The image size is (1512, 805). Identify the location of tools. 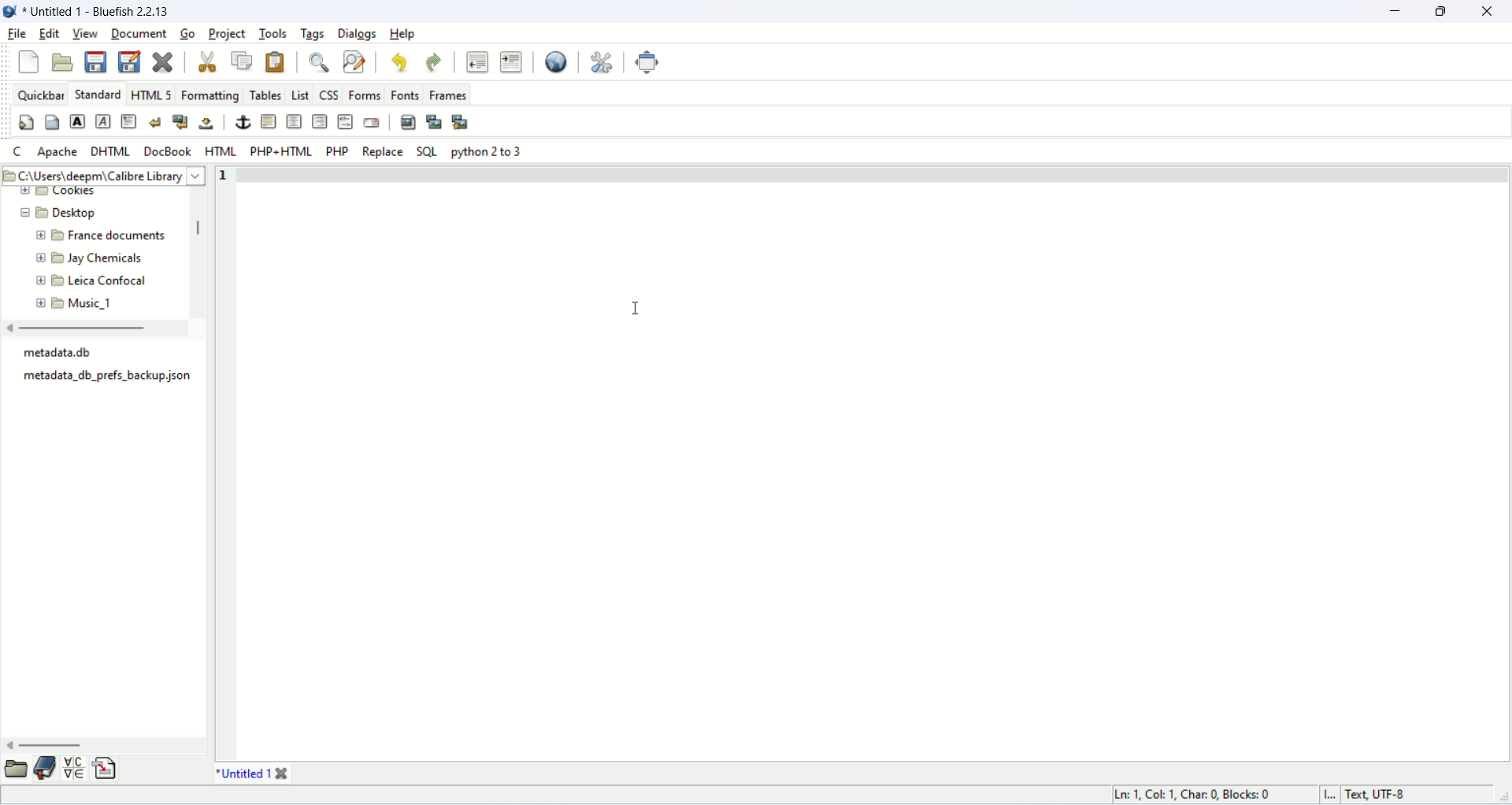
(275, 34).